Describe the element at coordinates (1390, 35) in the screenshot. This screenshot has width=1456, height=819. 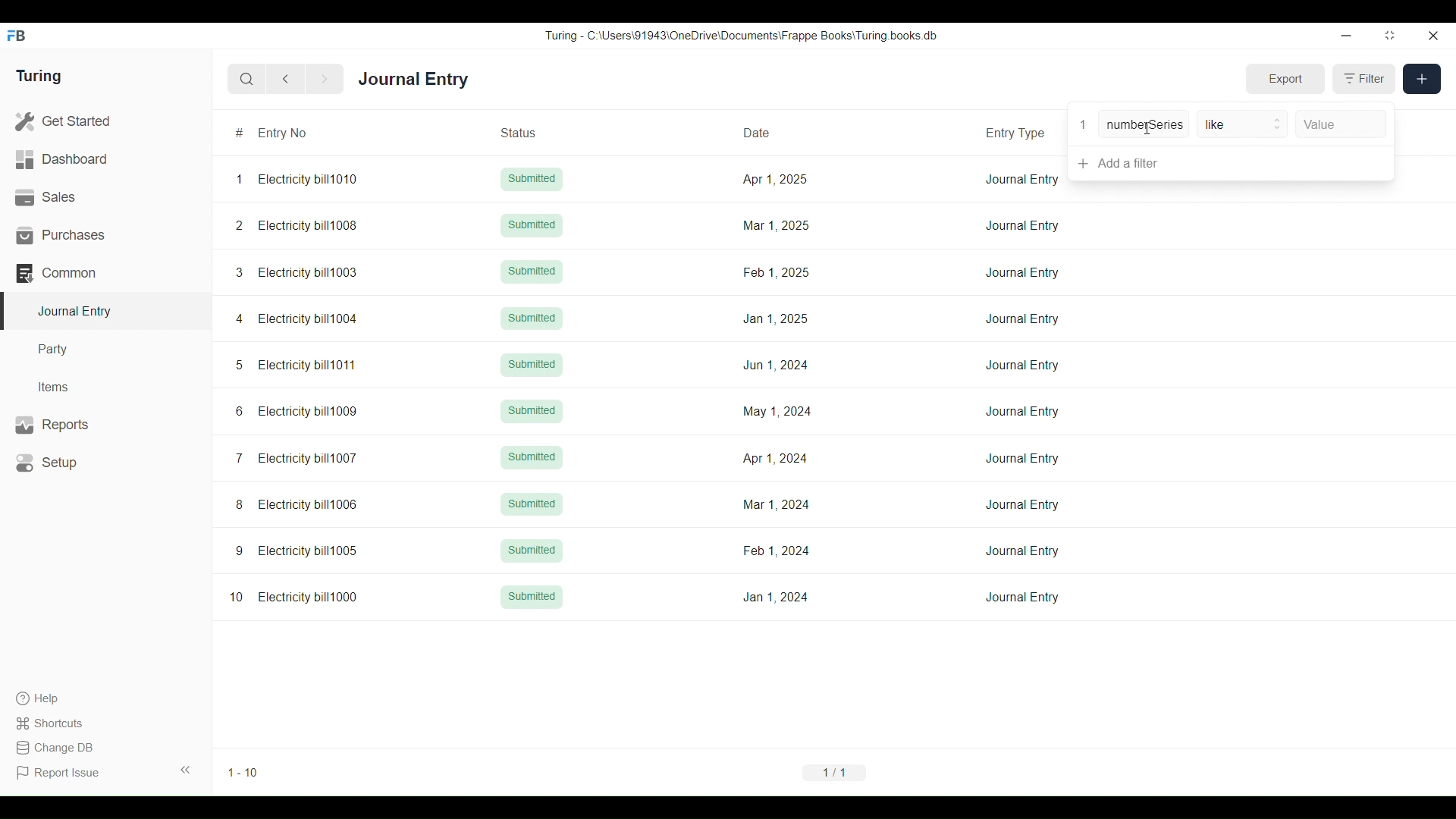
I see `Change dimension` at that location.